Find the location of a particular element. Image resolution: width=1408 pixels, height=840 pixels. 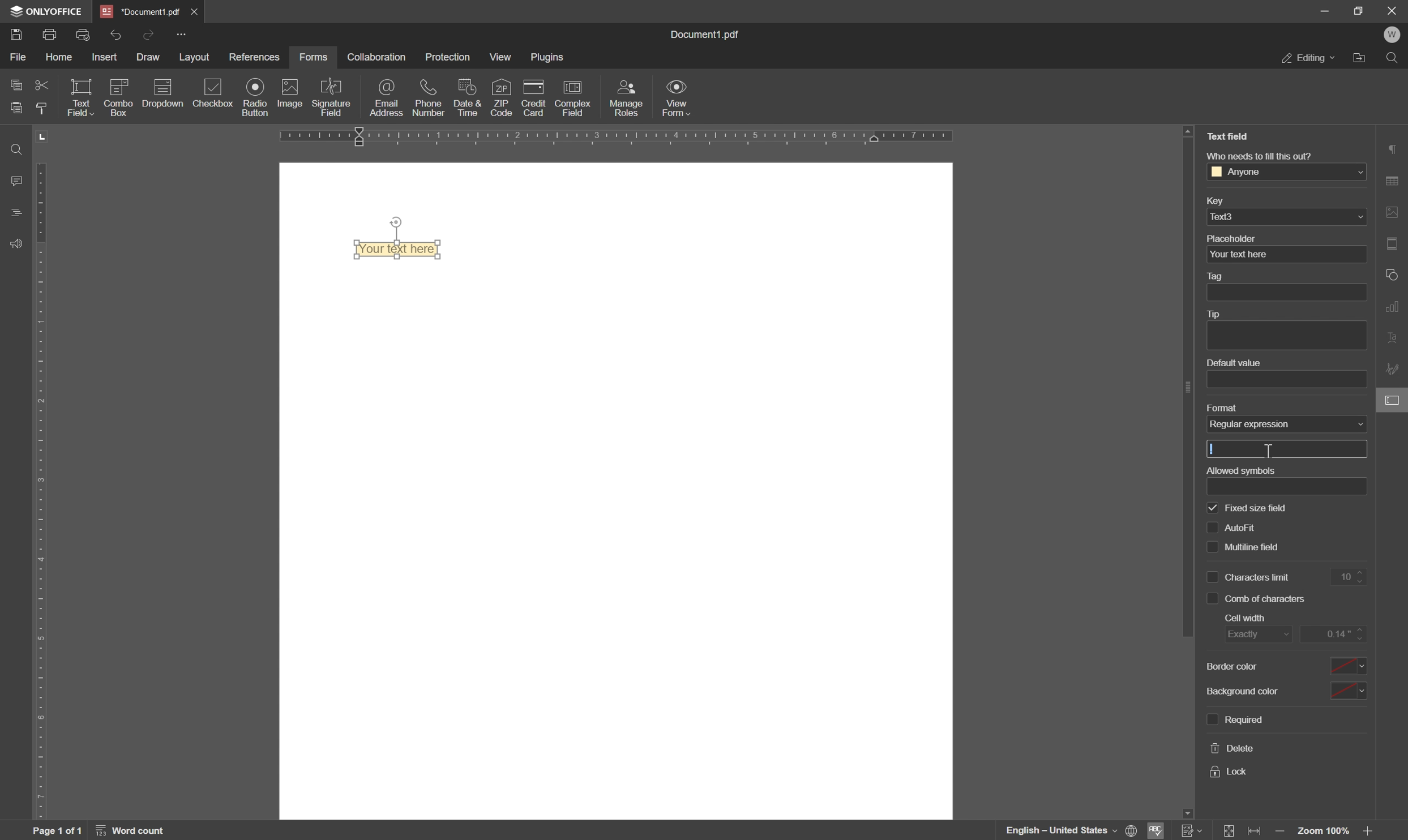

your text here is located at coordinates (1238, 255).